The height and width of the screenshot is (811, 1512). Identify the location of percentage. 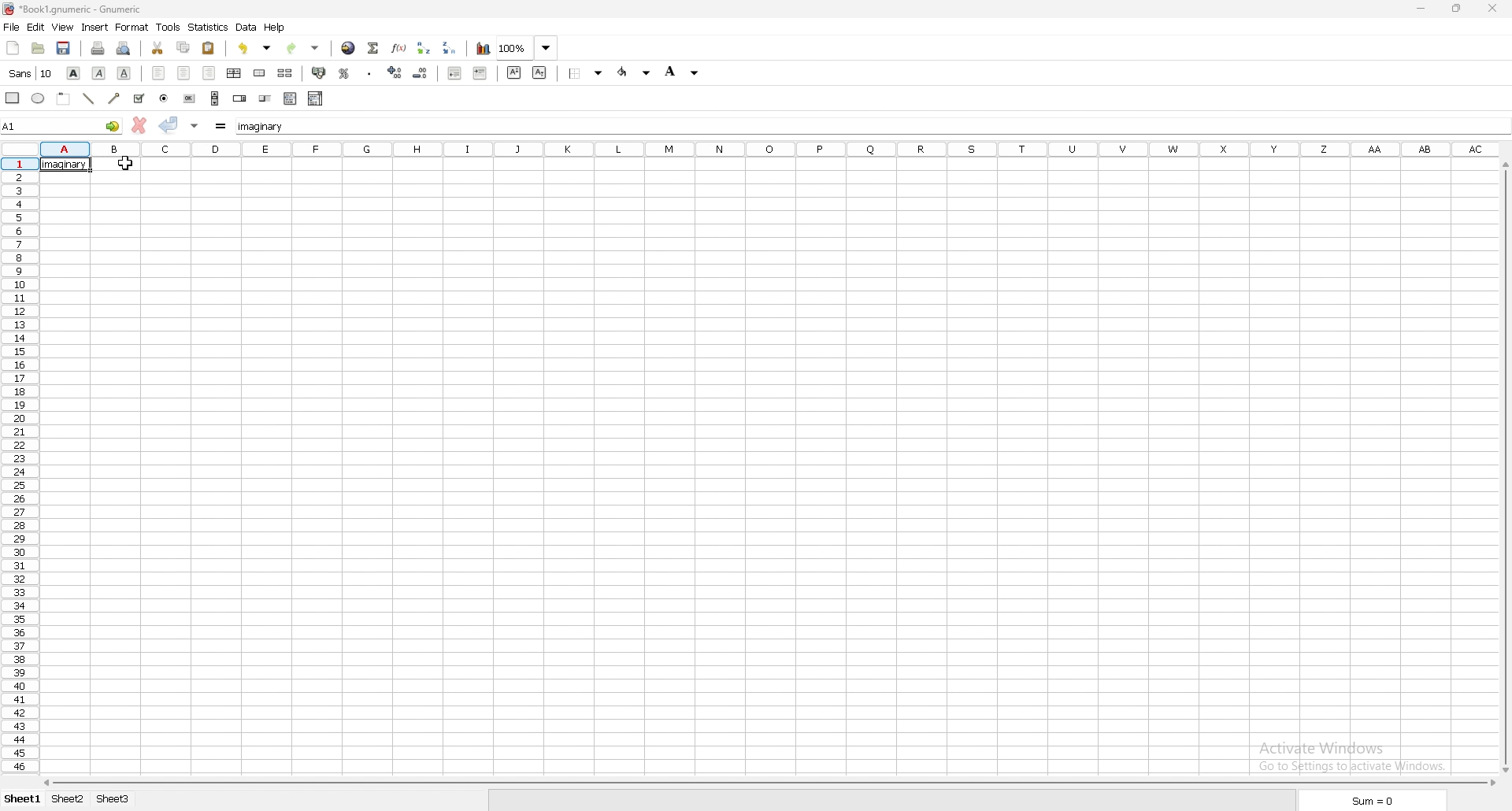
(344, 72).